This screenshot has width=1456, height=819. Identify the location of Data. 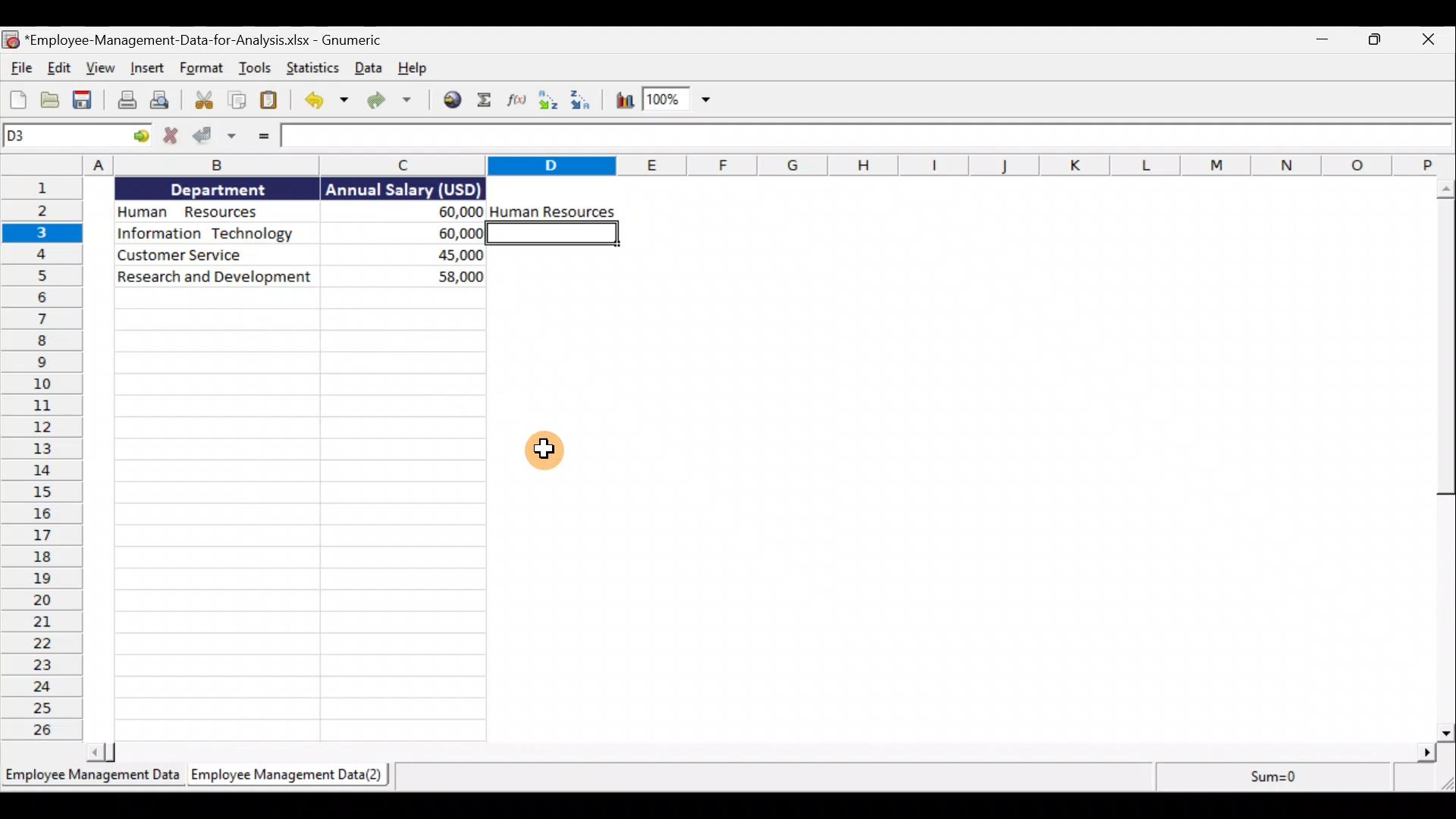
(367, 68).